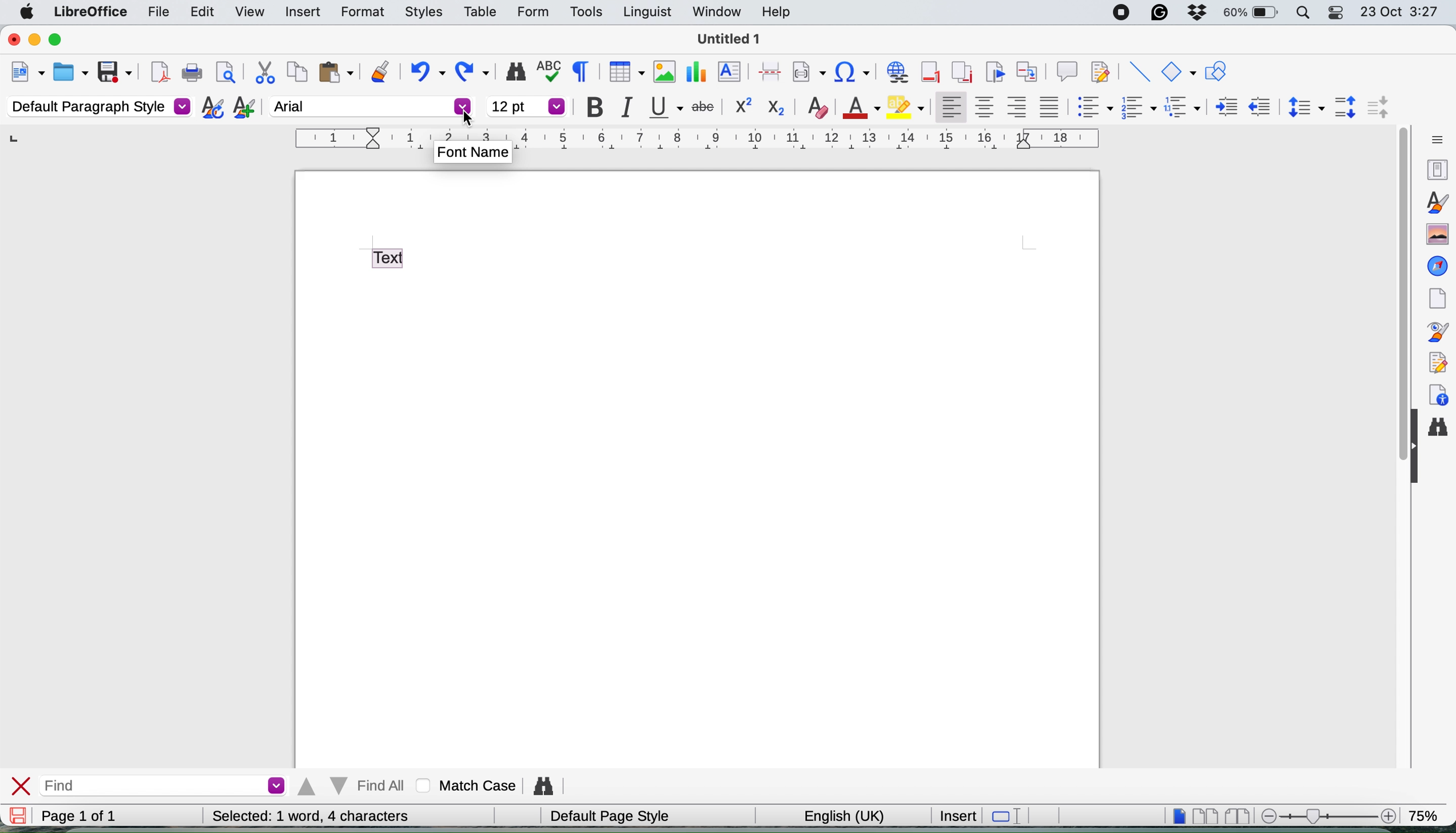 The height and width of the screenshot is (833, 1456). I want to click on underline, so click(664, 109).